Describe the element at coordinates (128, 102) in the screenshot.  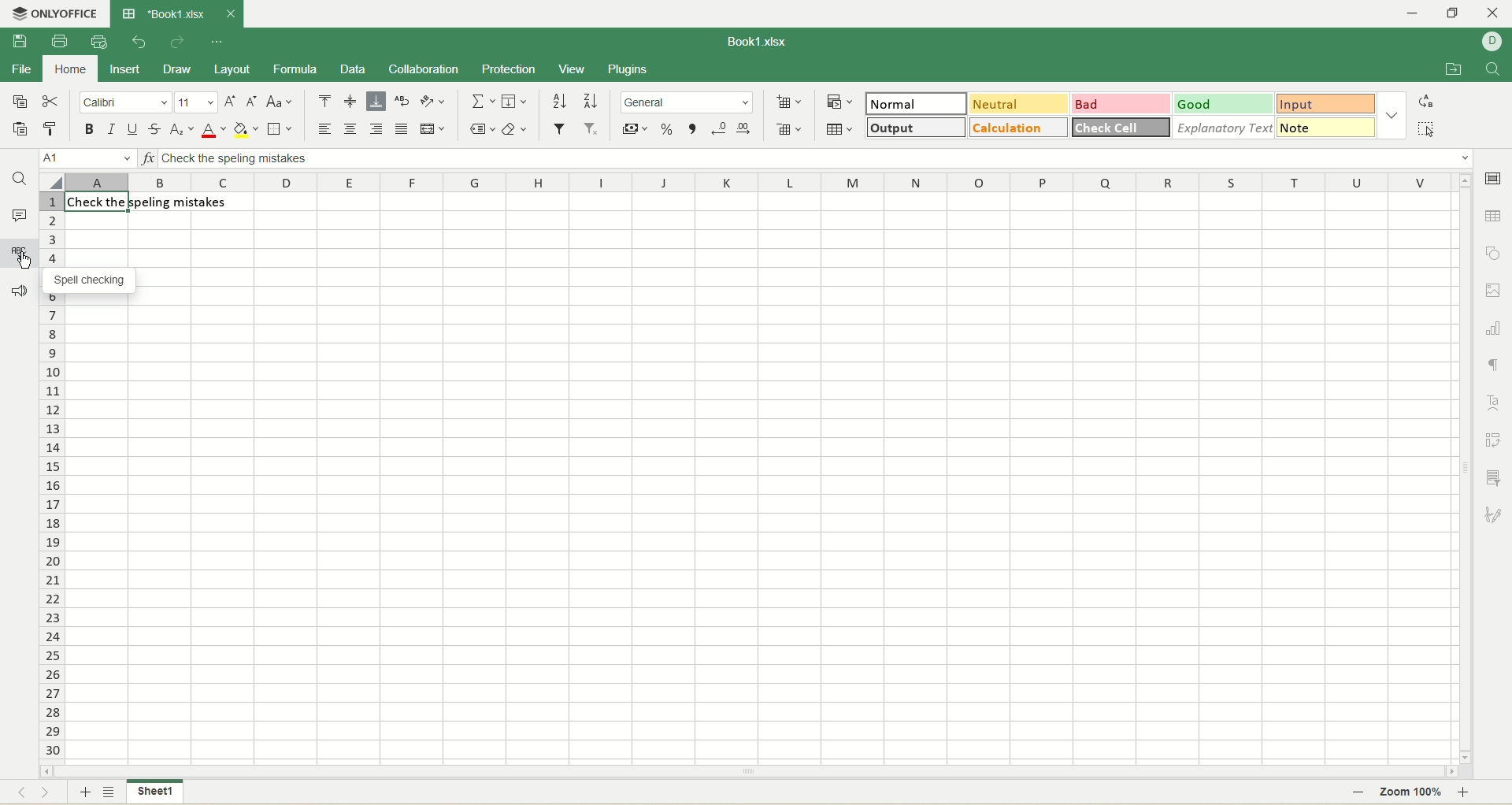
I see `font name` at that location.